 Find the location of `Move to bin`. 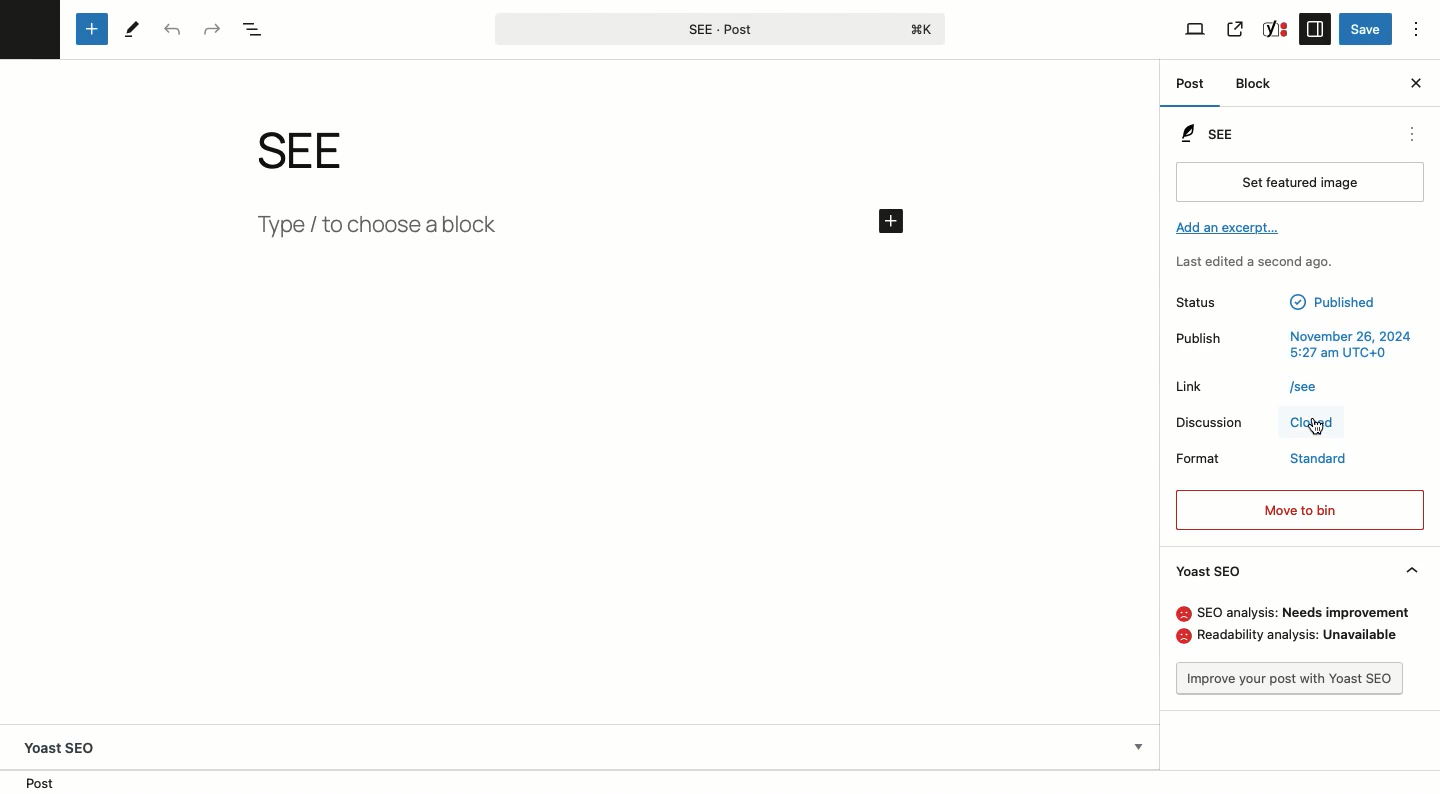

Move to bin is located at coordinates (1301, 510).